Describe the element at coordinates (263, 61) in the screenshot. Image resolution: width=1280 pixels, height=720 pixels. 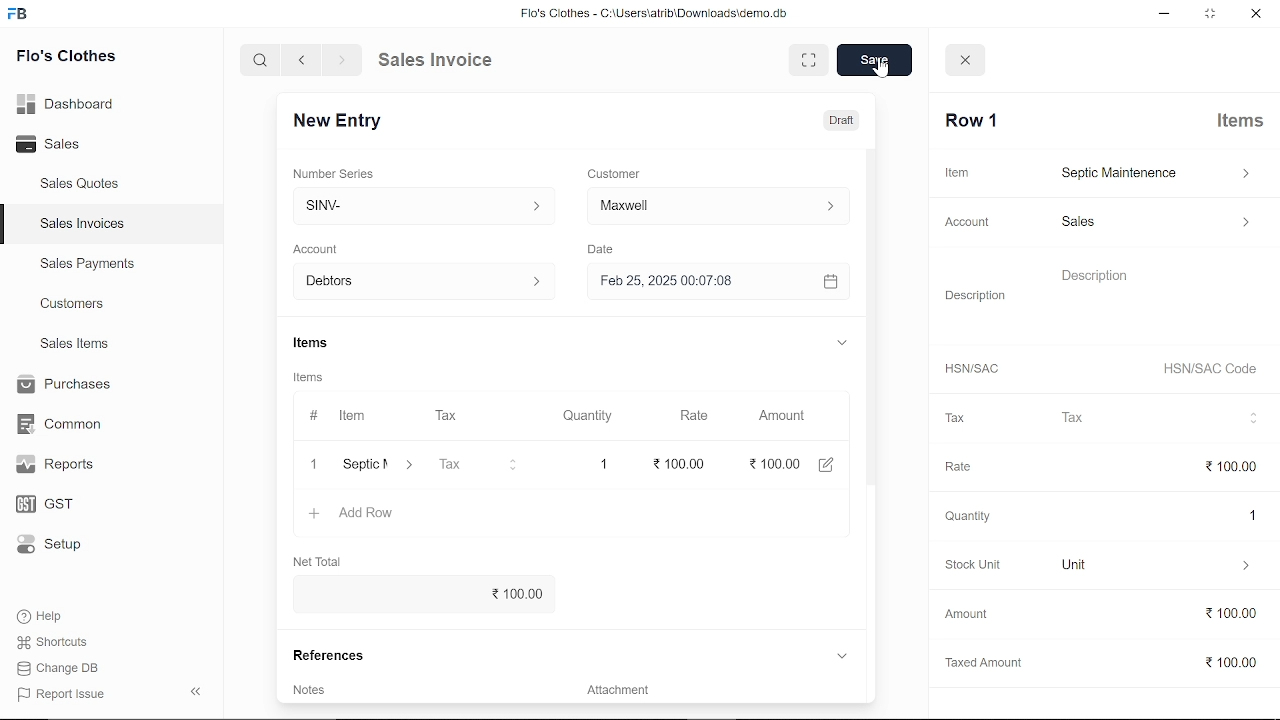
I see `search` at that location.